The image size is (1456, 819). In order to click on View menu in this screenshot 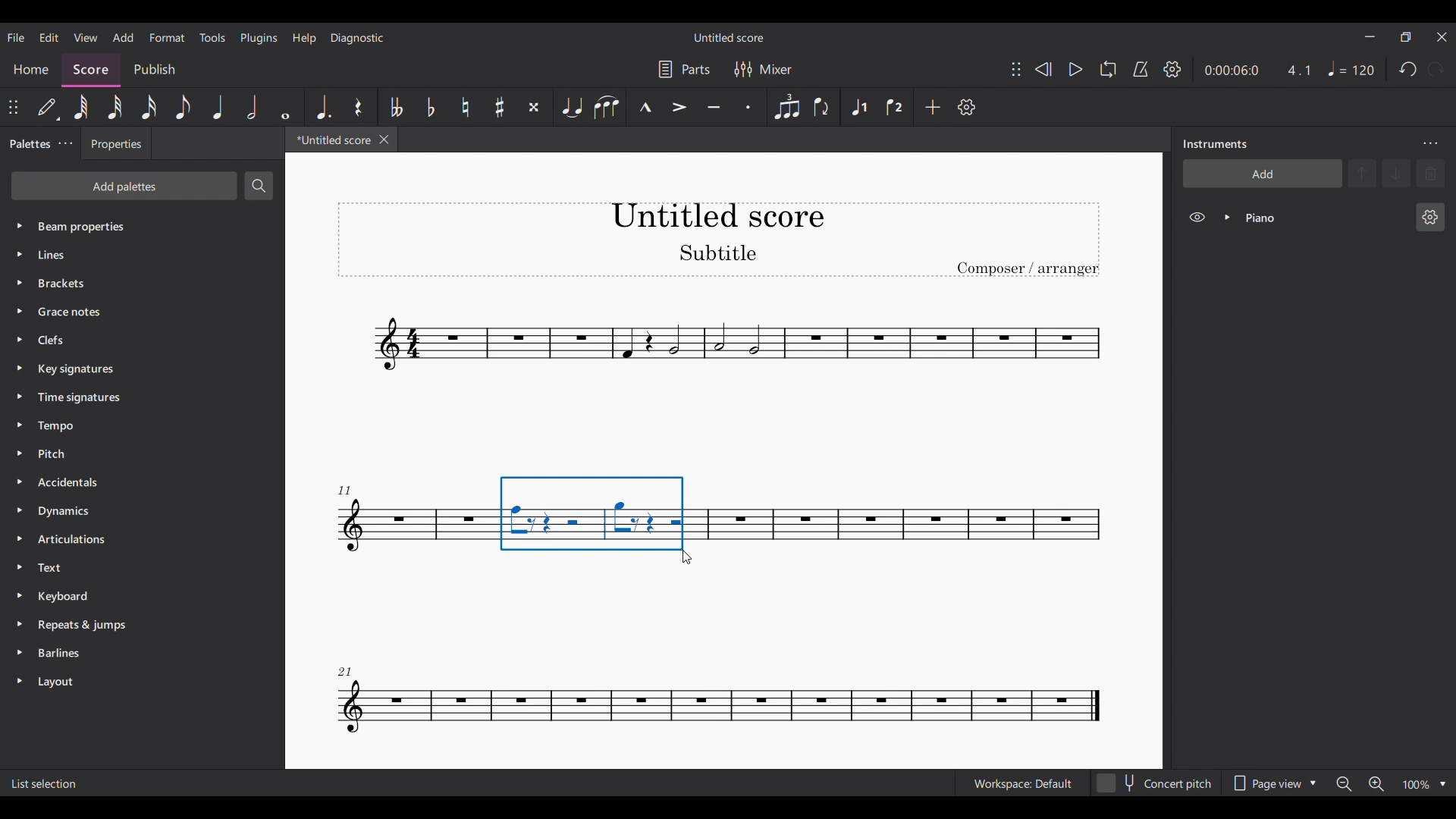, I will do `click(85, 37)`.